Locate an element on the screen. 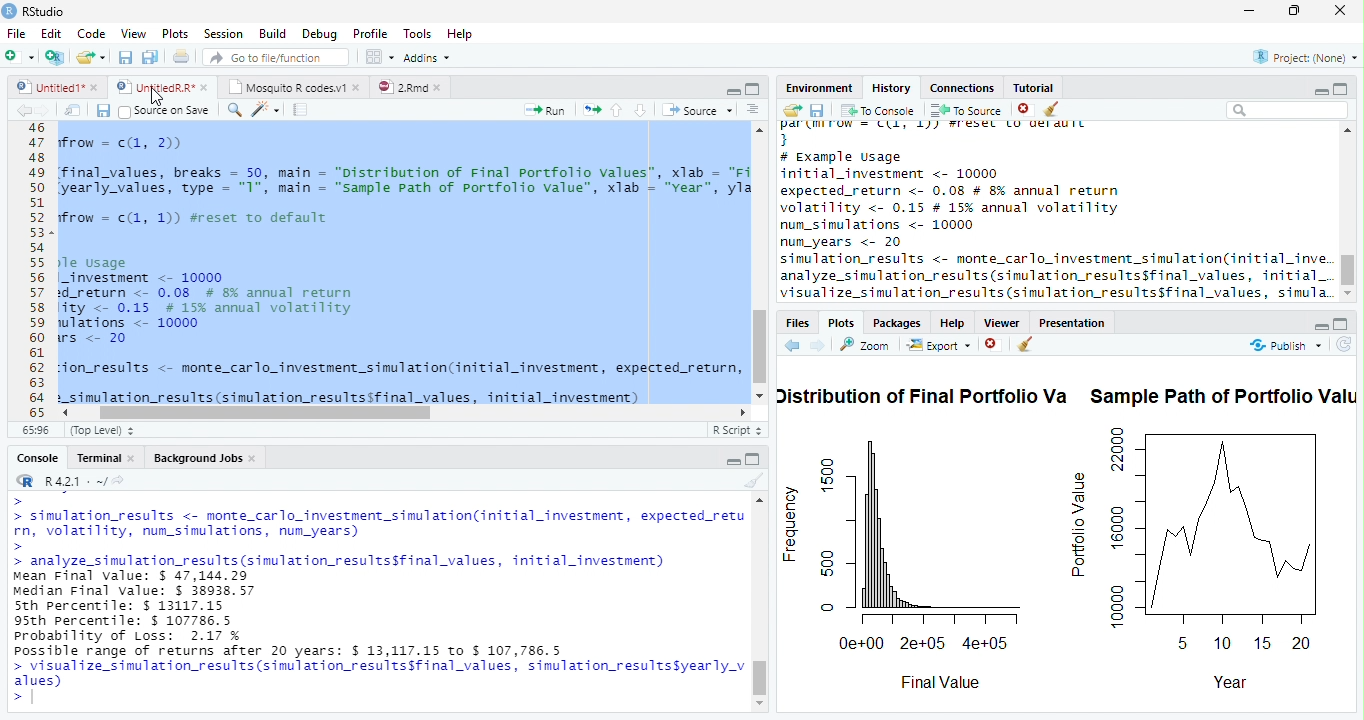  Sample Path of Portfolio Valu is located at coordinates (1223, 395).